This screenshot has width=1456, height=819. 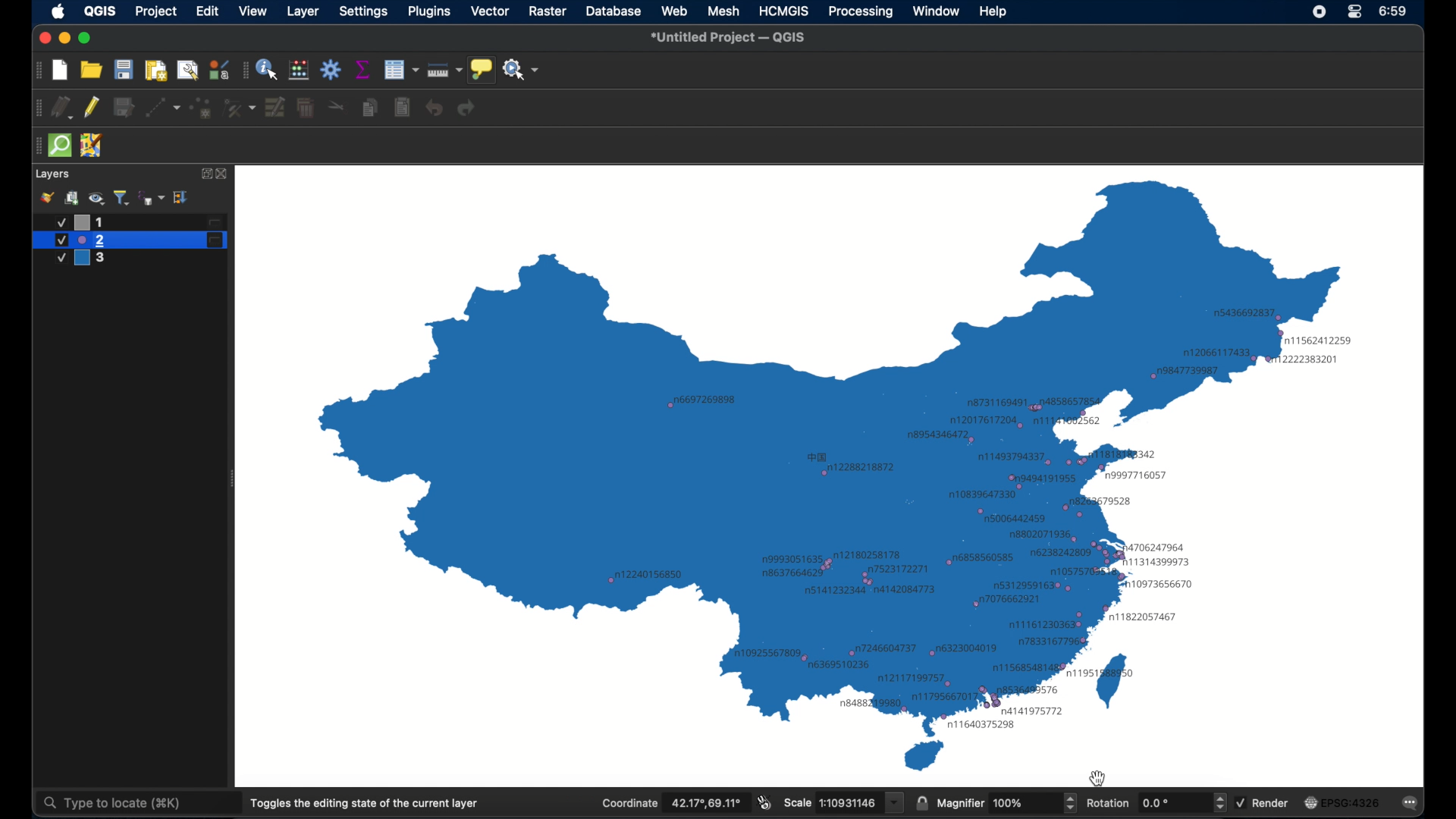 What do you see at coordinates (977, 515) in the screenshot?
I see `labels  based on attribute` at bounding box center [977, 515].